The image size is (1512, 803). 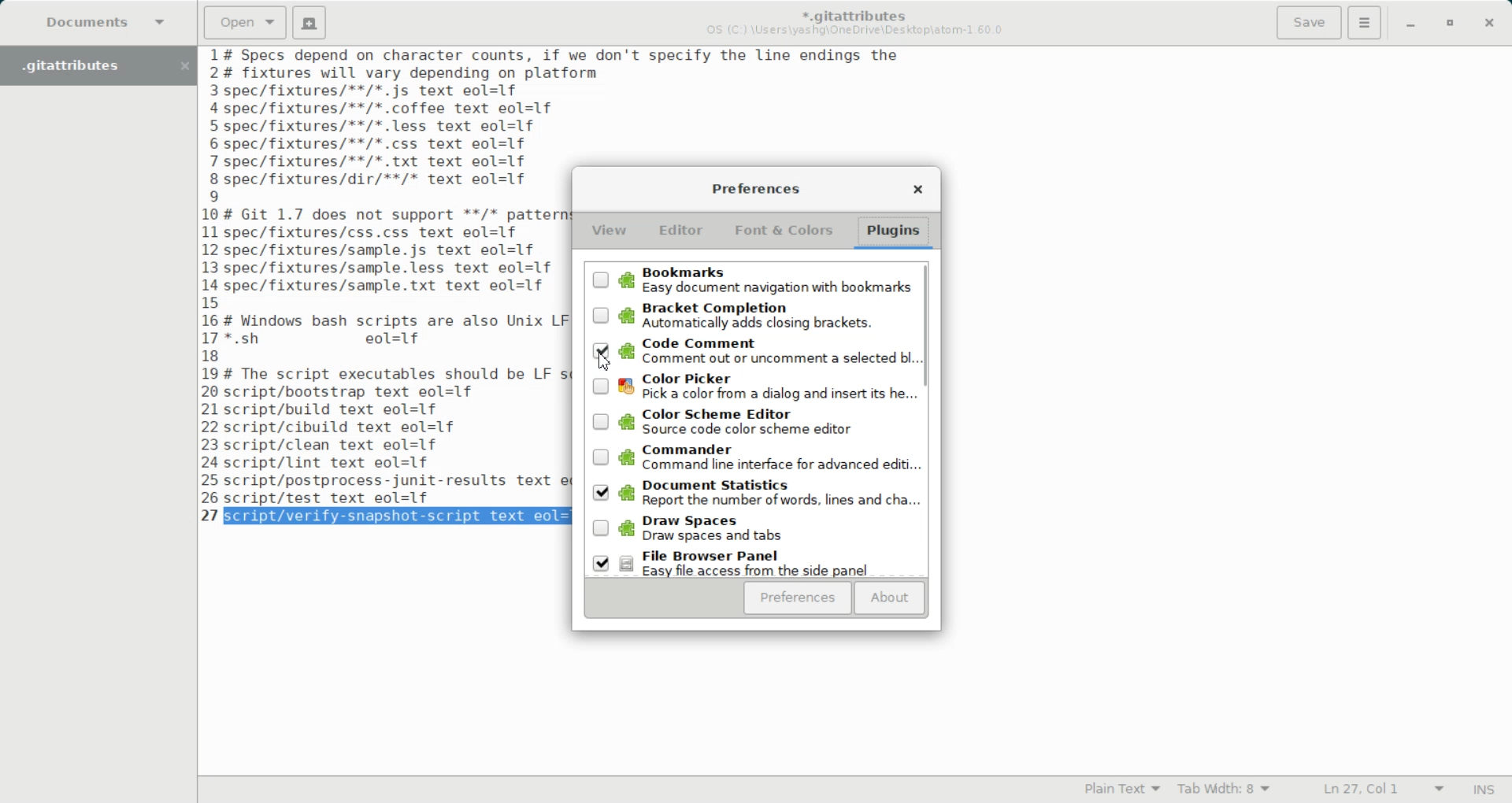 What do you see at coordinates (928, 416) in the screenshot?
I see `Vertical scroll bar` at bounding box center [928, 416].